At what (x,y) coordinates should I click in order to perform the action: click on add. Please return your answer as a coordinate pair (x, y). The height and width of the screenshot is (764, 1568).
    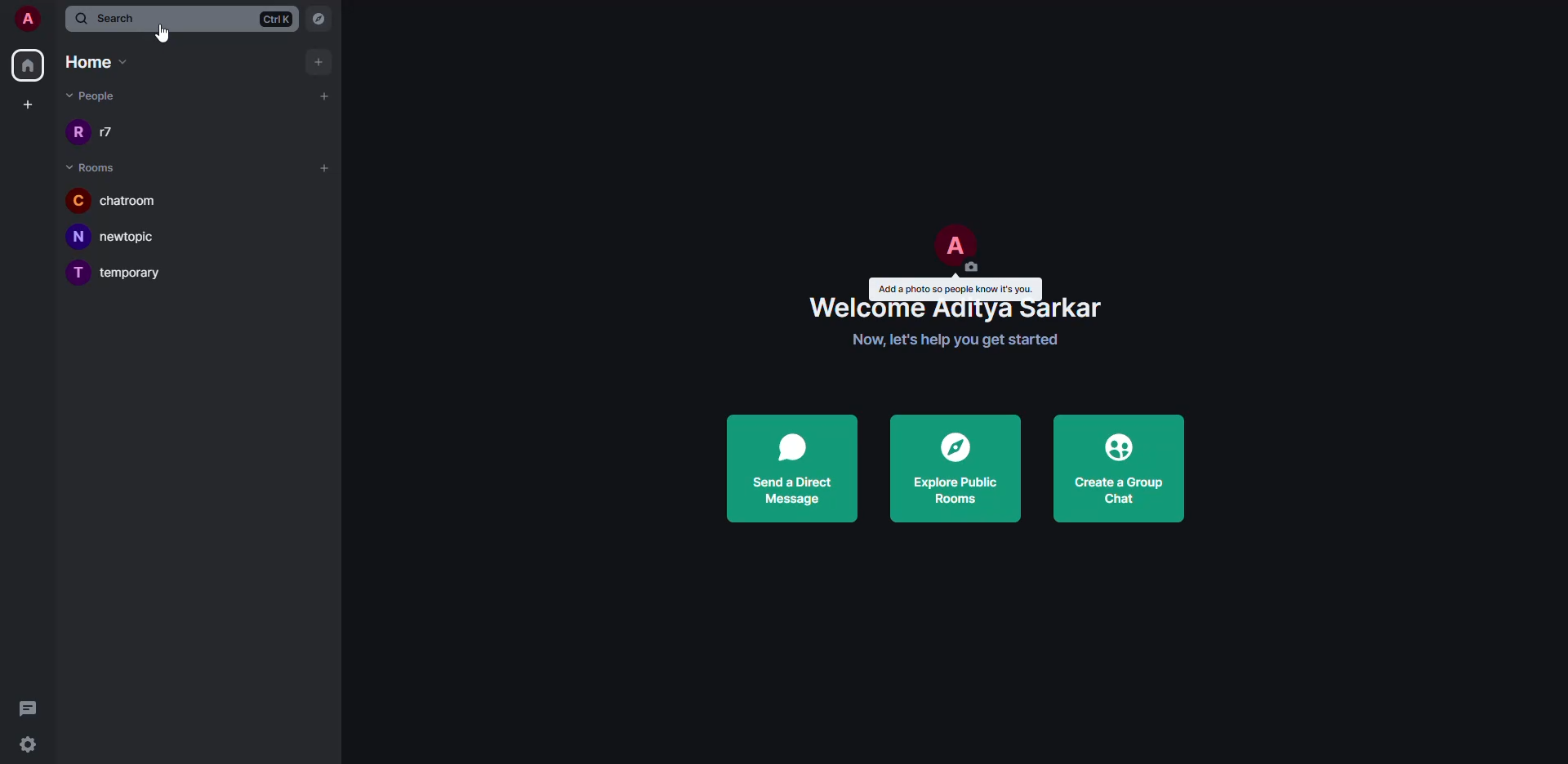
    Looking at the image, I should click on (324, 95).